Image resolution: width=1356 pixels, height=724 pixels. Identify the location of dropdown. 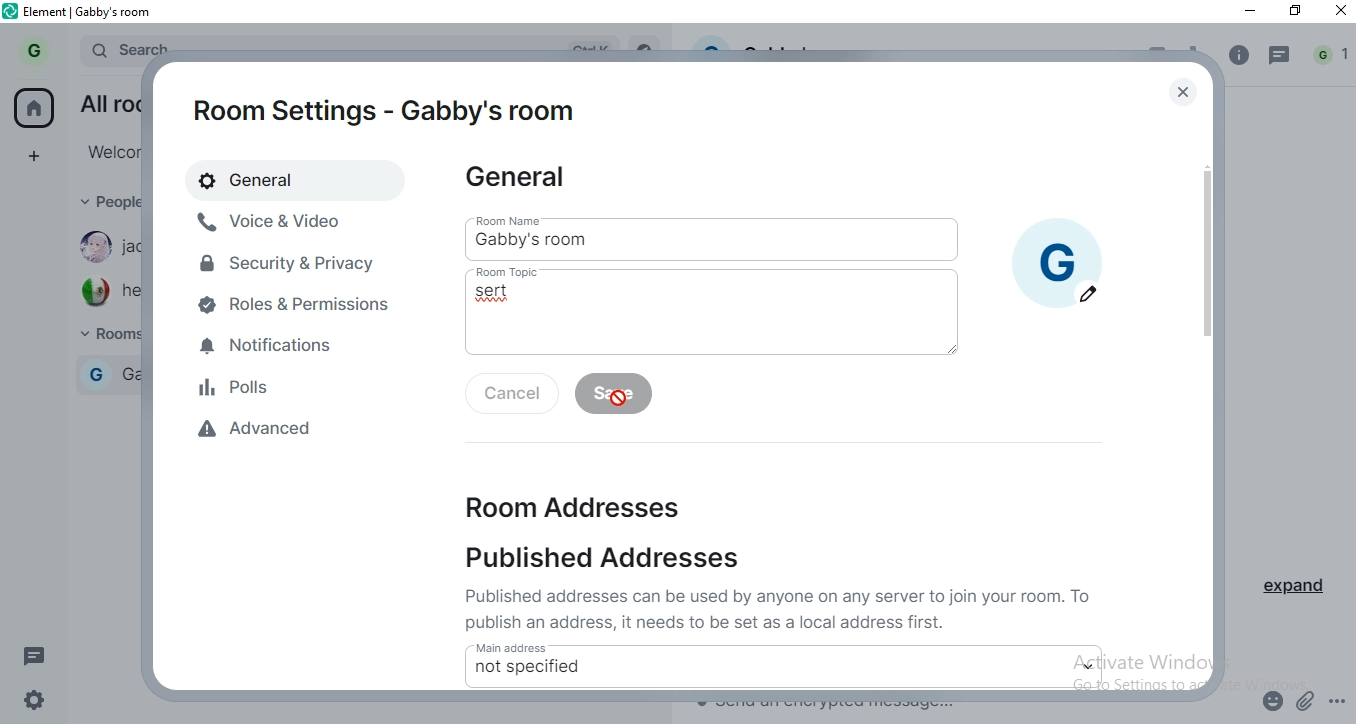
(1092, 667).